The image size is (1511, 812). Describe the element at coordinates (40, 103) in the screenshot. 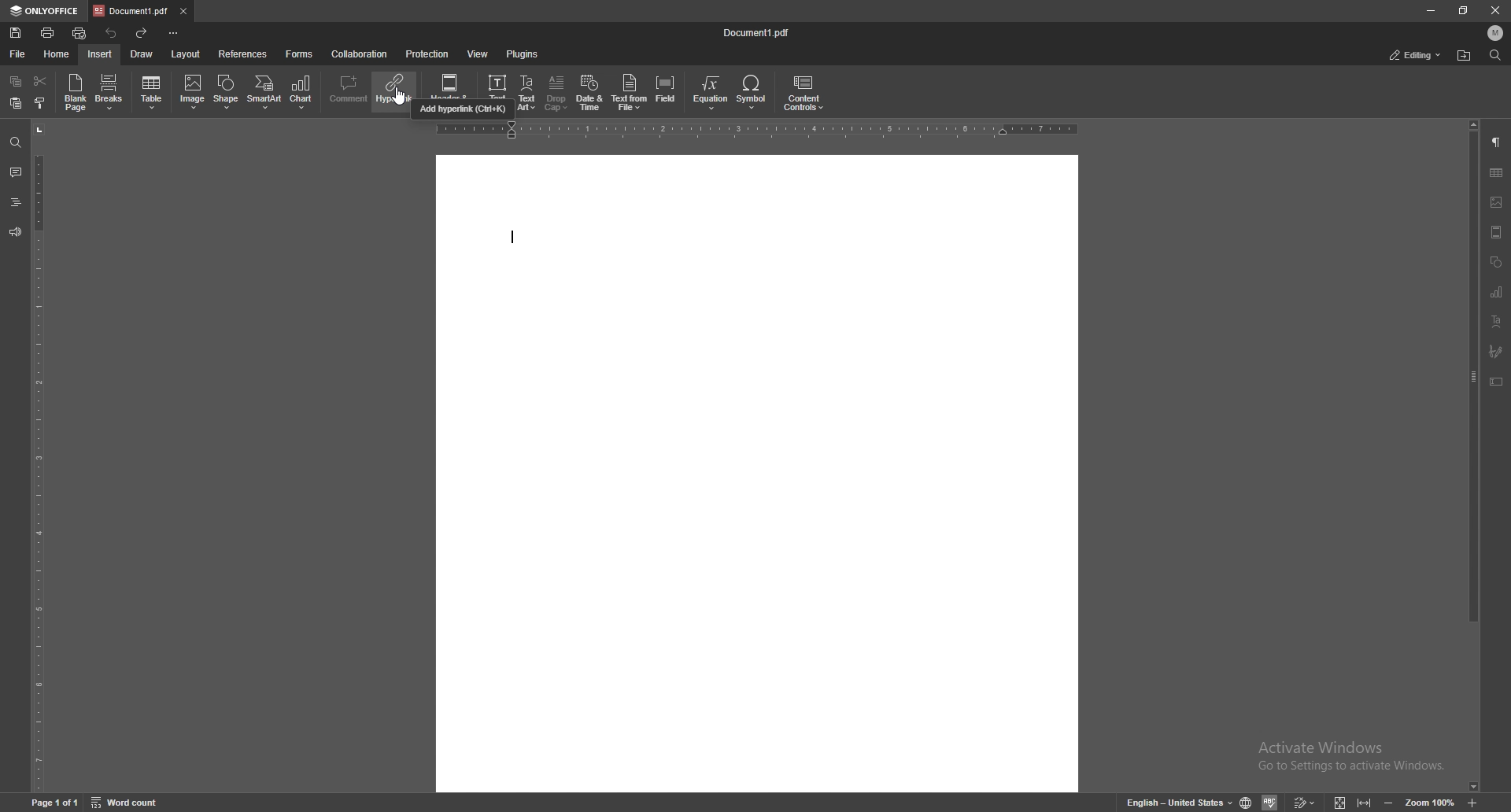

I see `copy style` at that location.